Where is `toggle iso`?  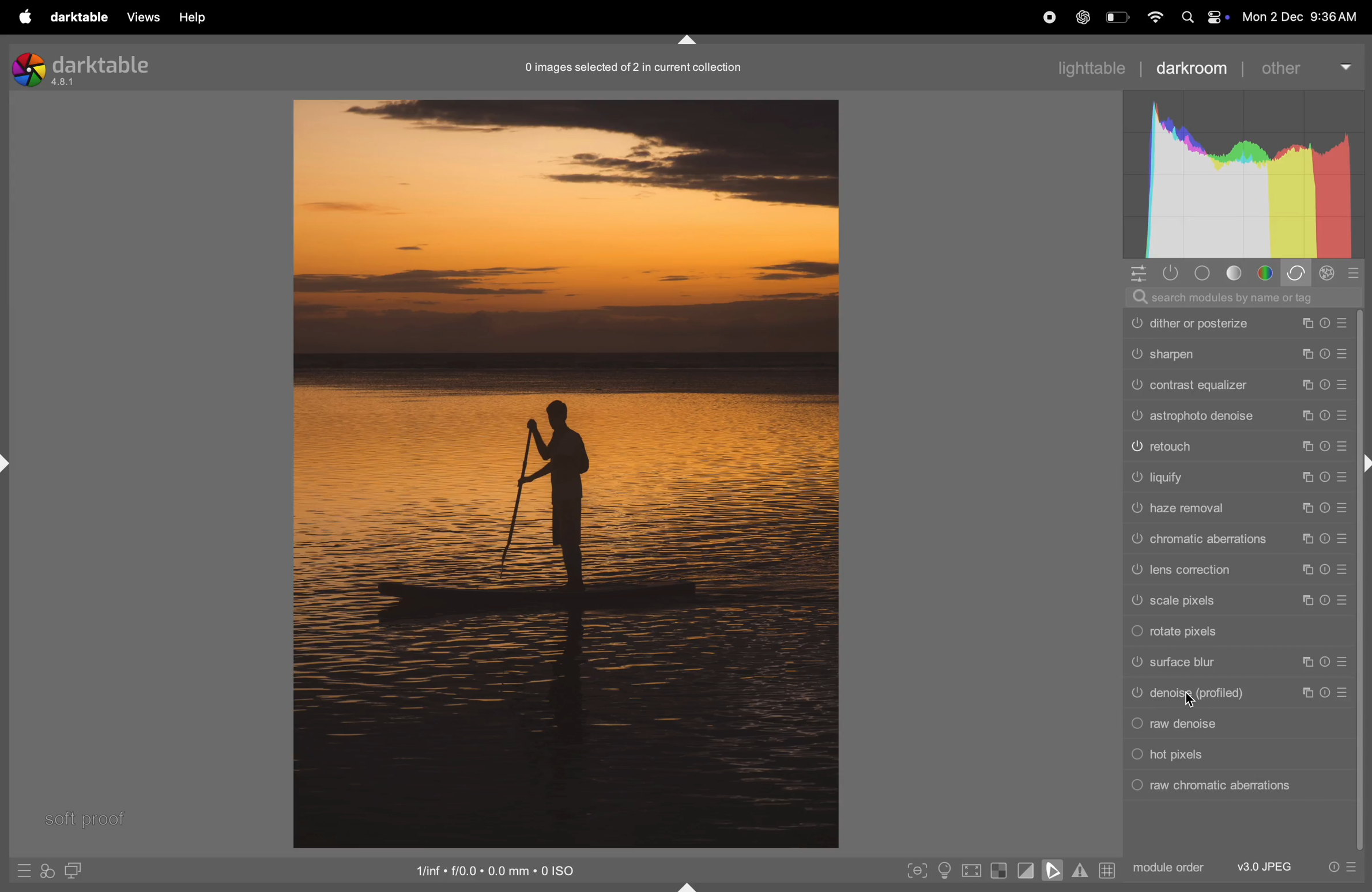
toggle iso is located at coordinates (943, 870).